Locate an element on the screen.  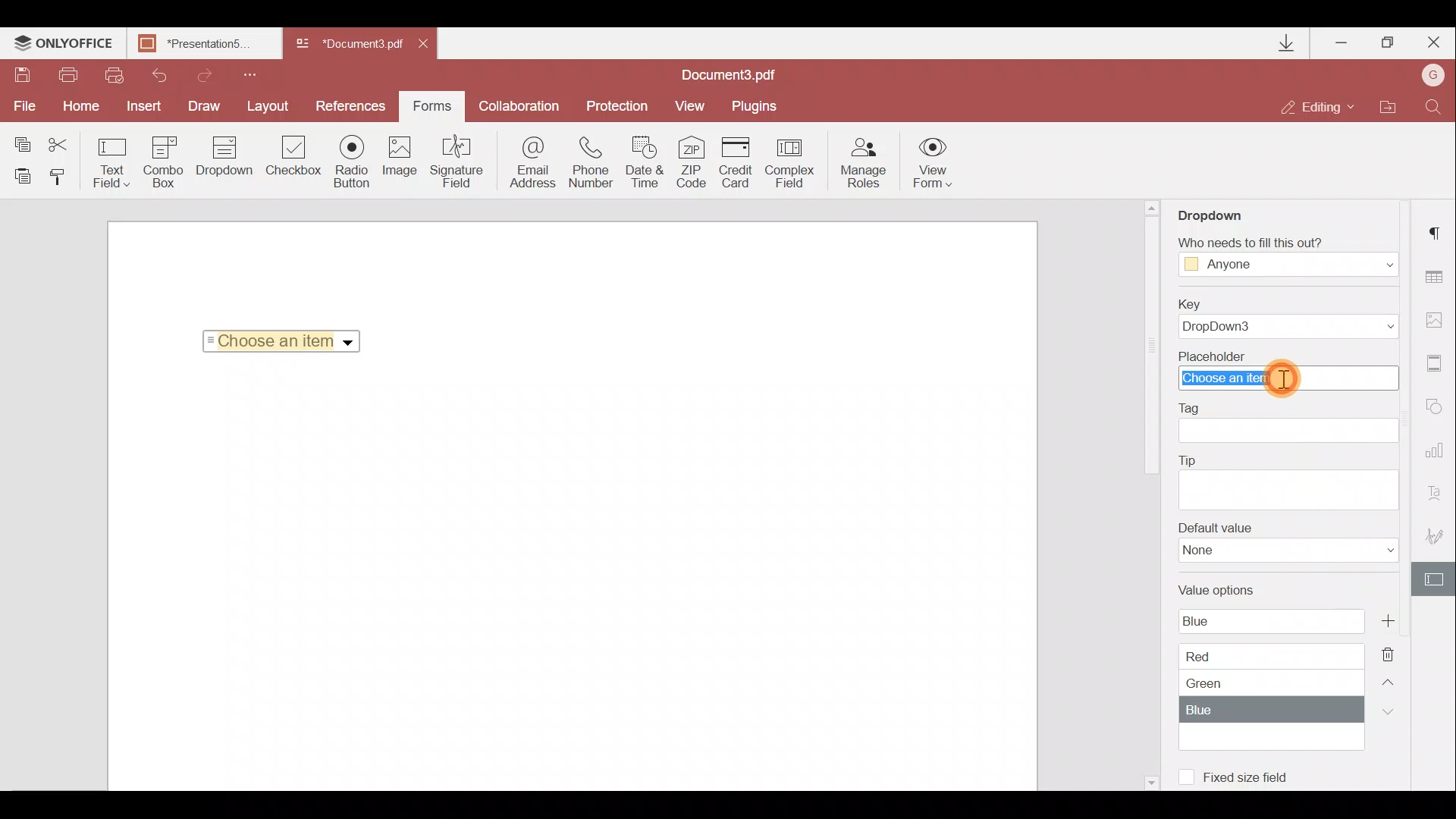
Radio is located at coordinates (354, 162).